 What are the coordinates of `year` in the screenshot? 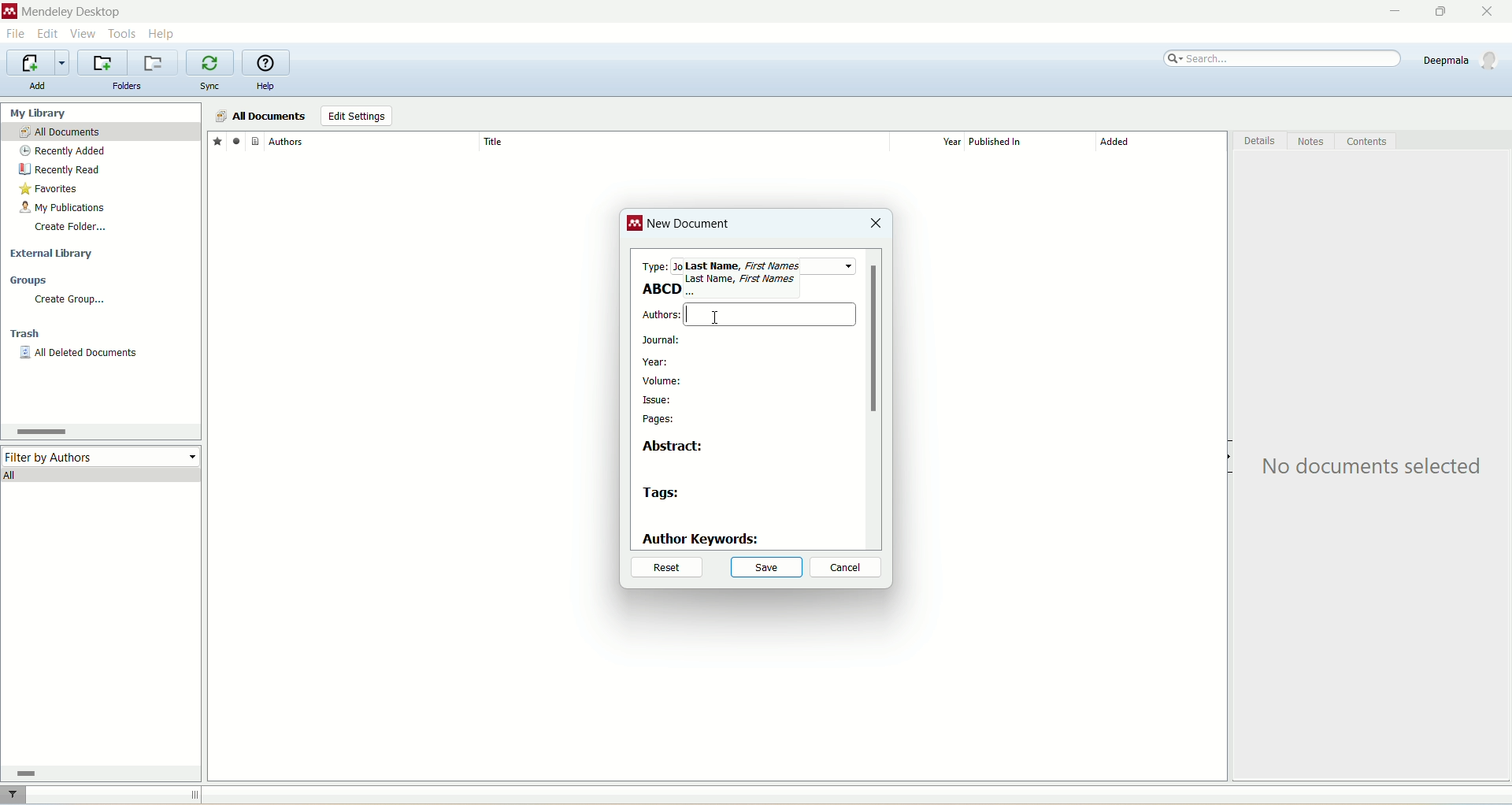 It's located at (932, 142).